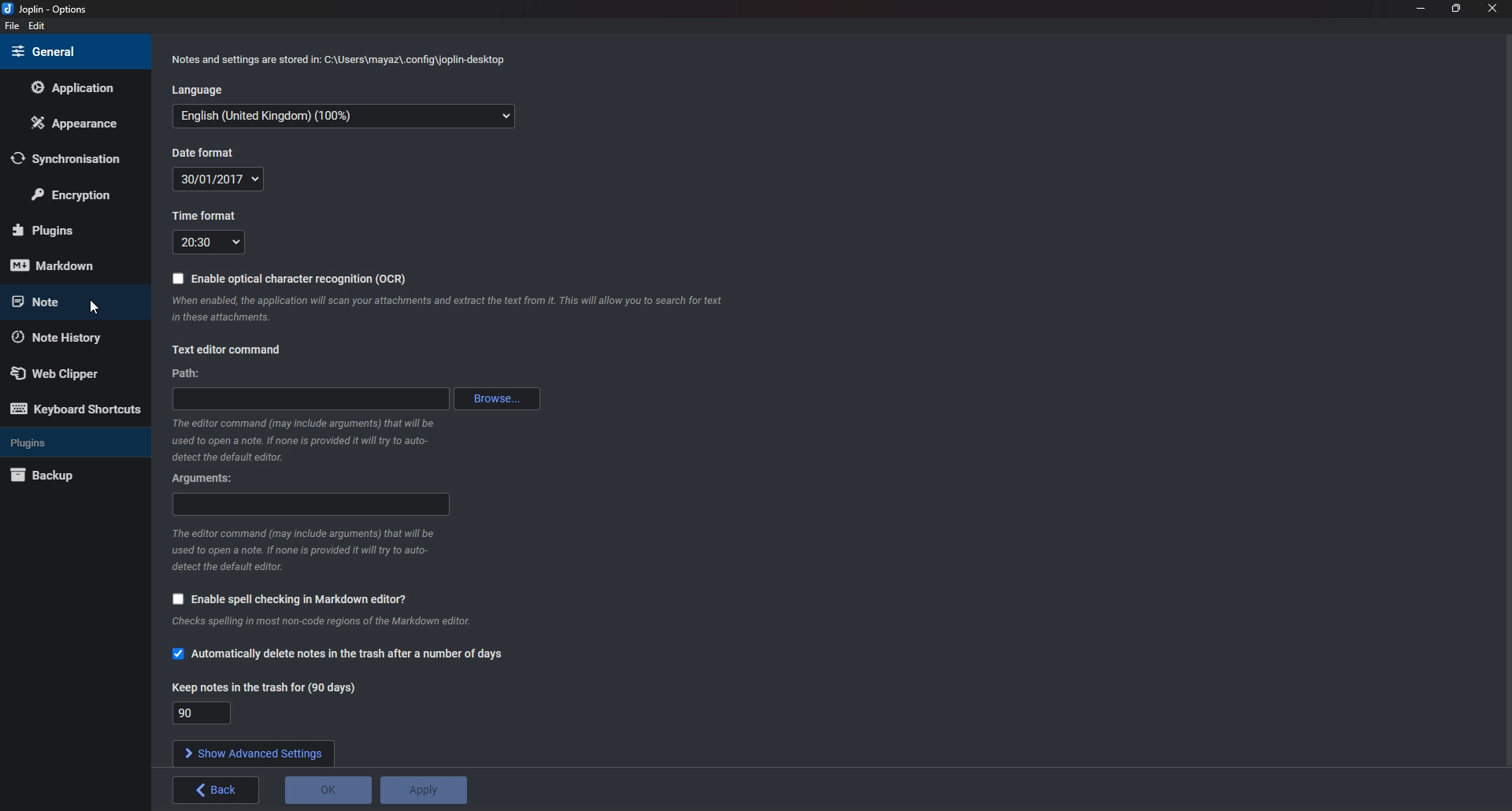 The width and height of the screenshot is (1512, 811). I want to click on General, so click(67, 52).